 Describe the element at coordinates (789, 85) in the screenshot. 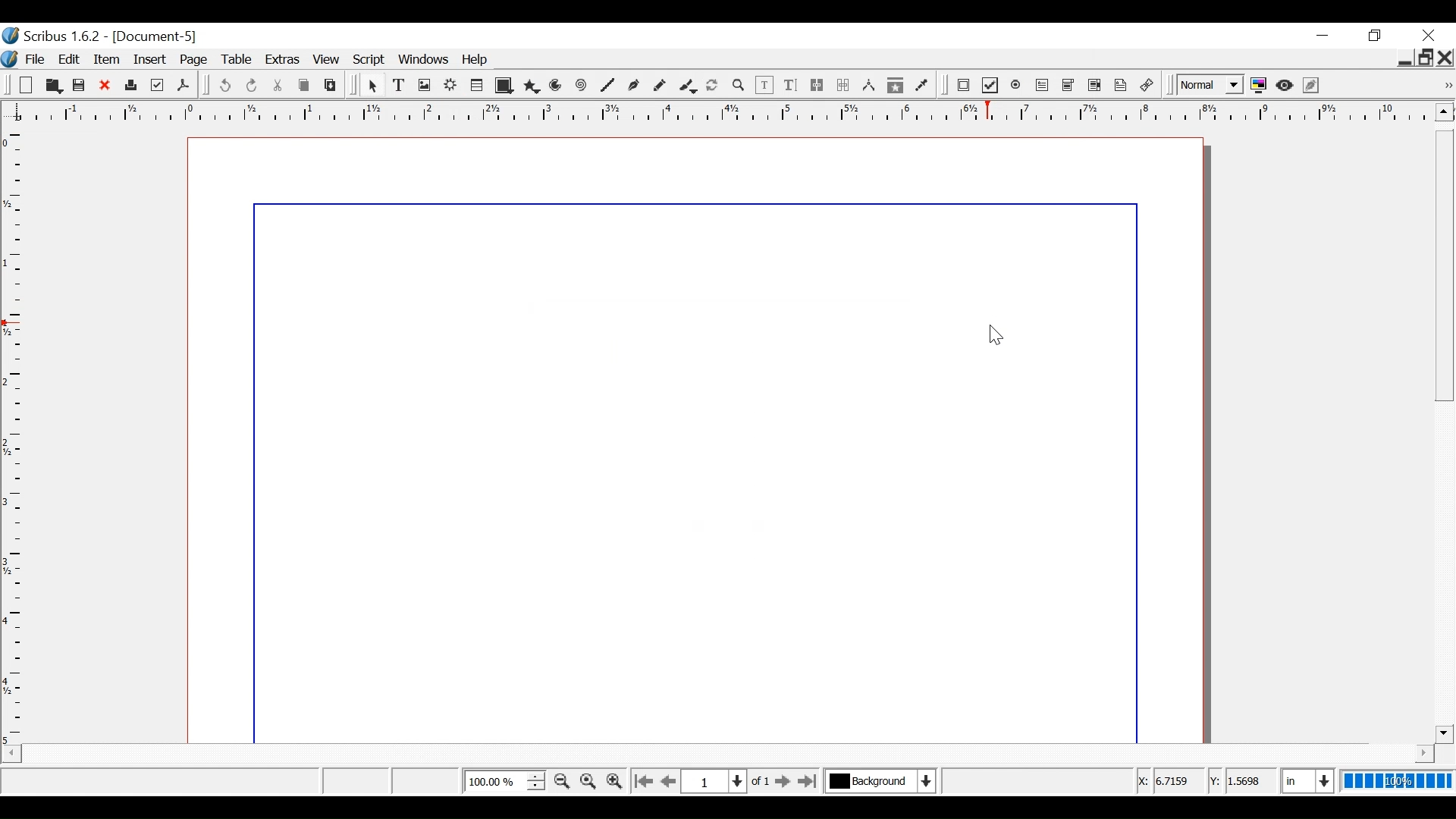

I see `Edit Text with Story Editor` at that location.